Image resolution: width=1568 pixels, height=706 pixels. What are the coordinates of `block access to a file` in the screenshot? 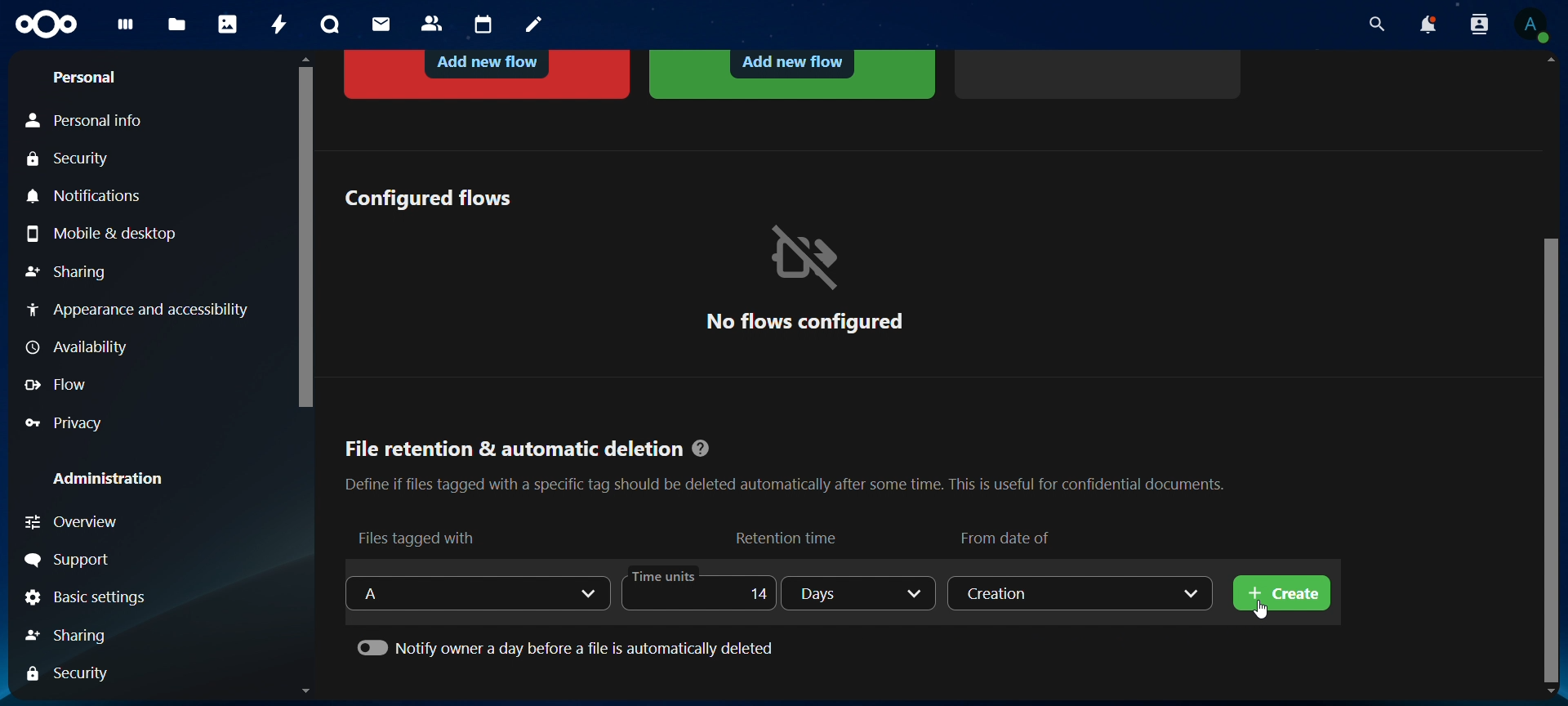 It's located at (489, 72).